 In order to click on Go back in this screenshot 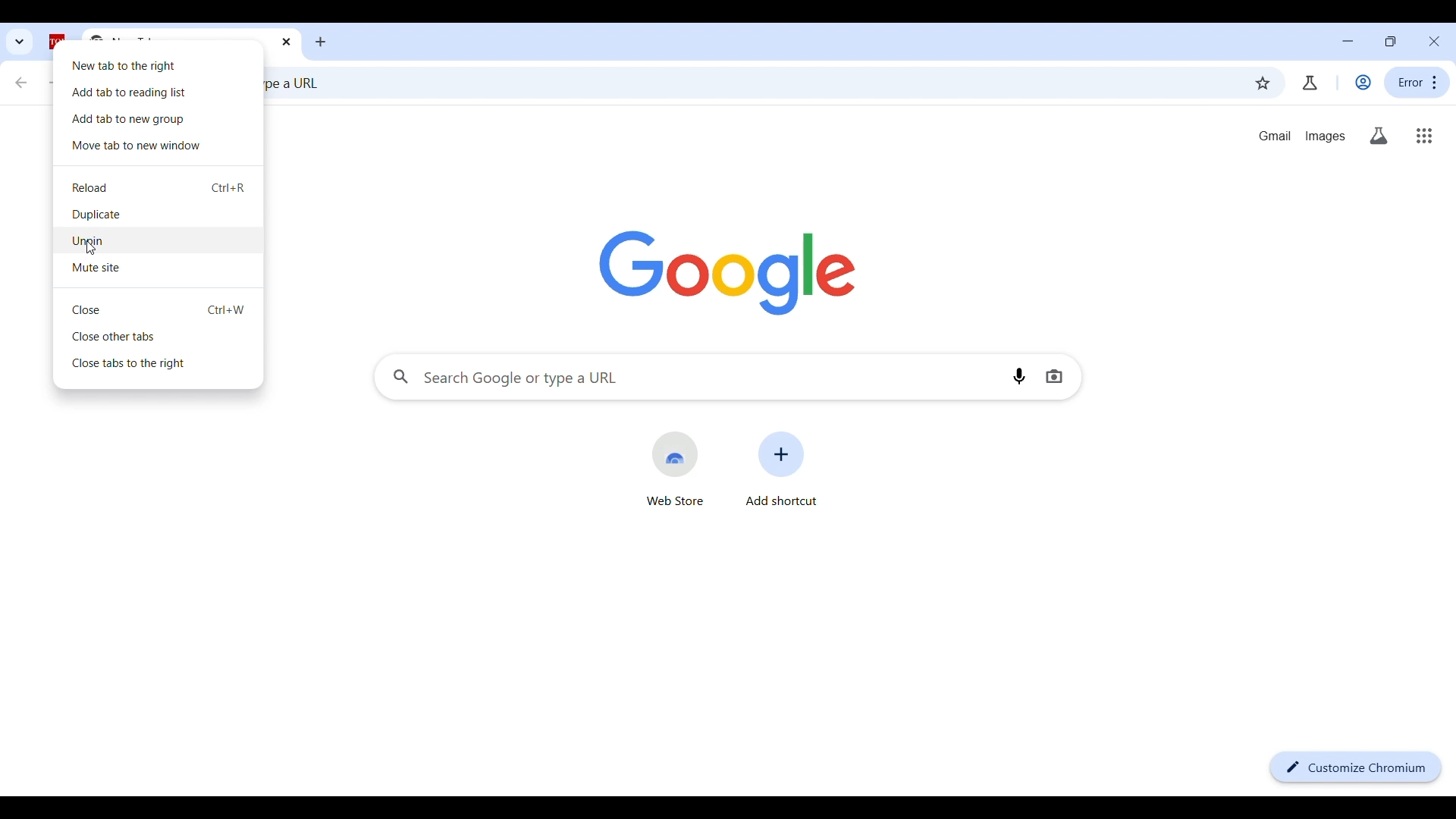, I will do `click(20, 83)`.